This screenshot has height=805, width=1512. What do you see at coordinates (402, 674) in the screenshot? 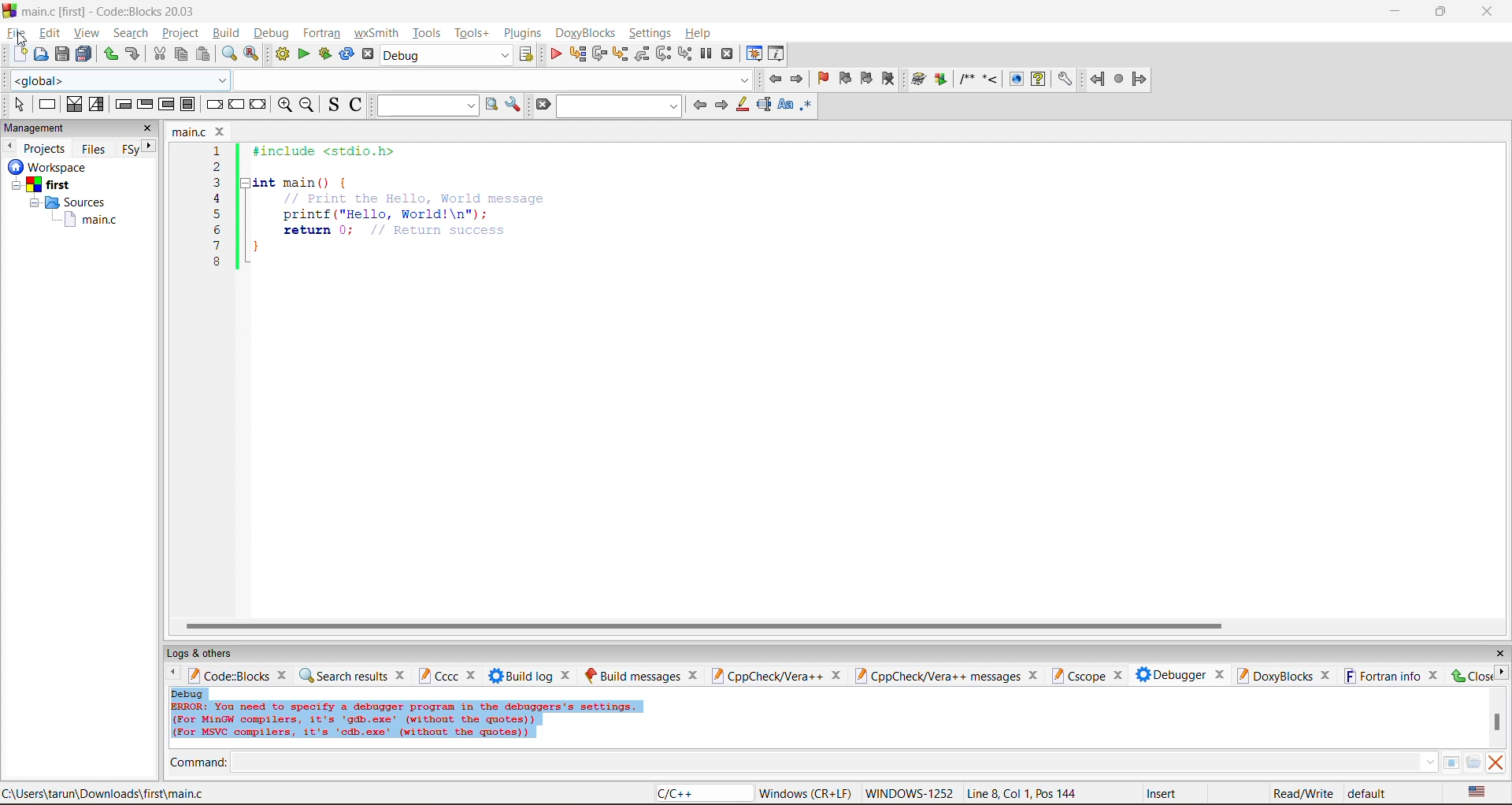
I see `close` at bounding box center [402, 674].